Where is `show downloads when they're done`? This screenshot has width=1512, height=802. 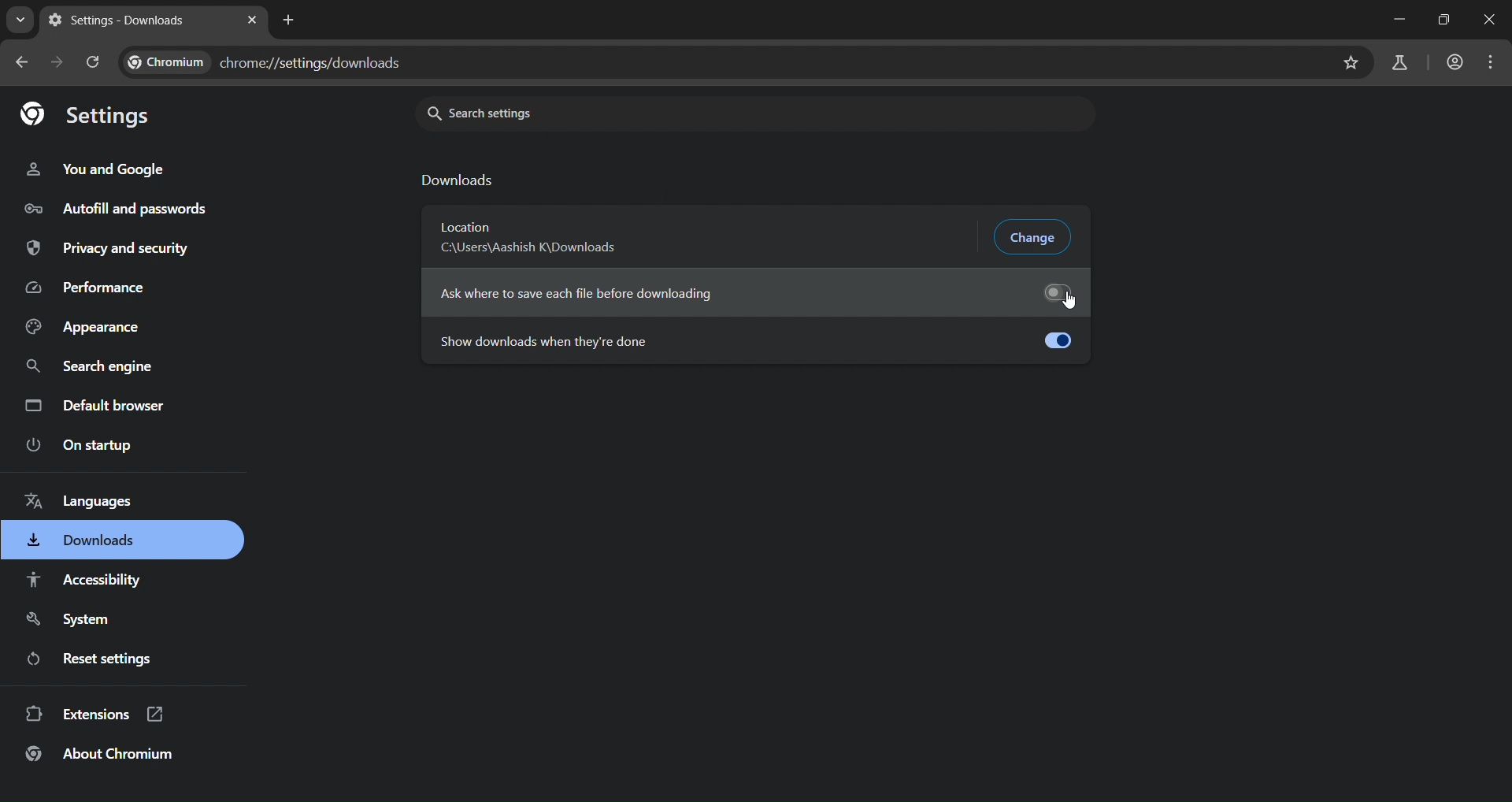 show downloads when they're done is located at coordinates (753, 339).